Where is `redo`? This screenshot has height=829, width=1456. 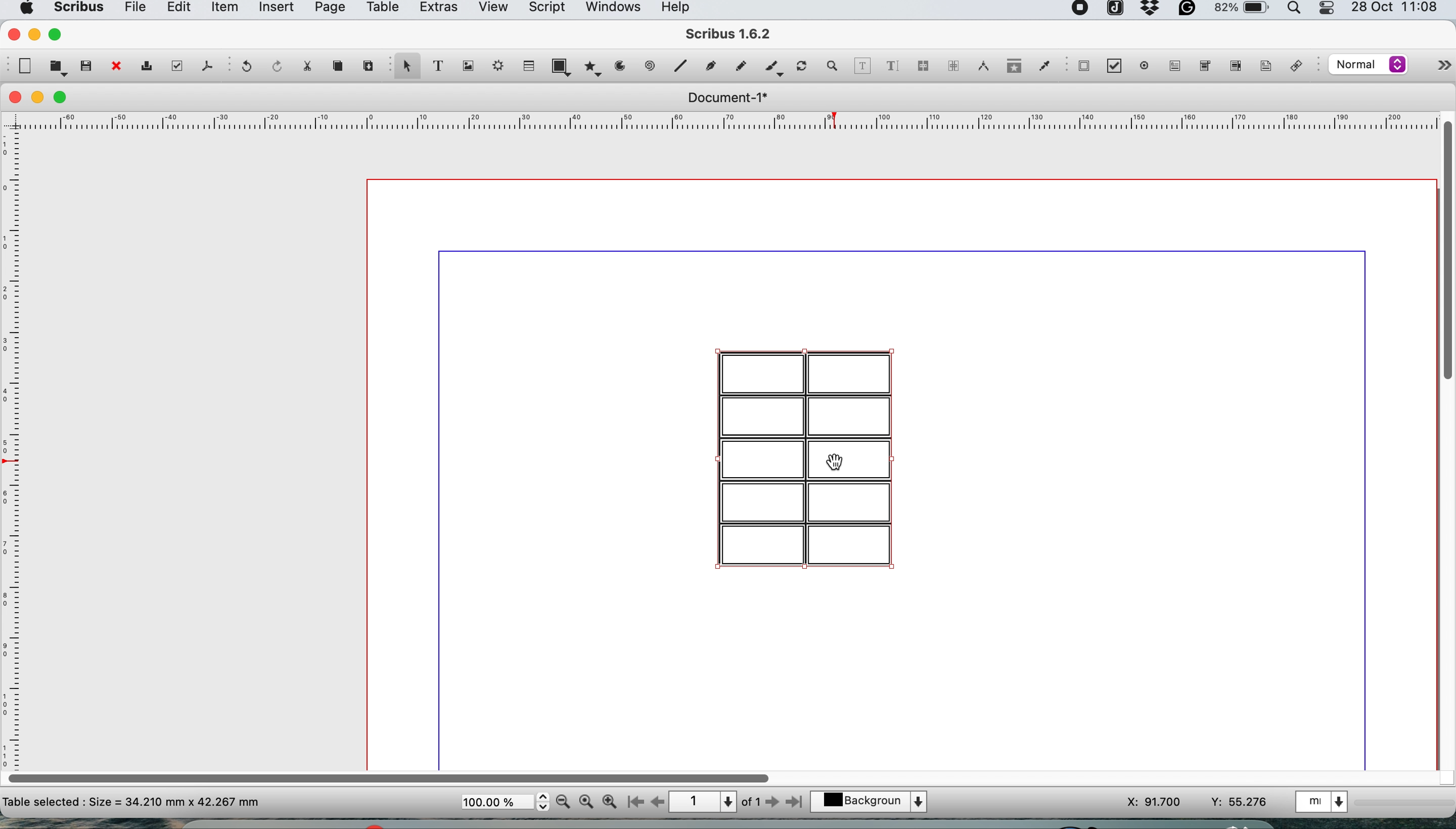
redo is located at coordinates (274, 65).